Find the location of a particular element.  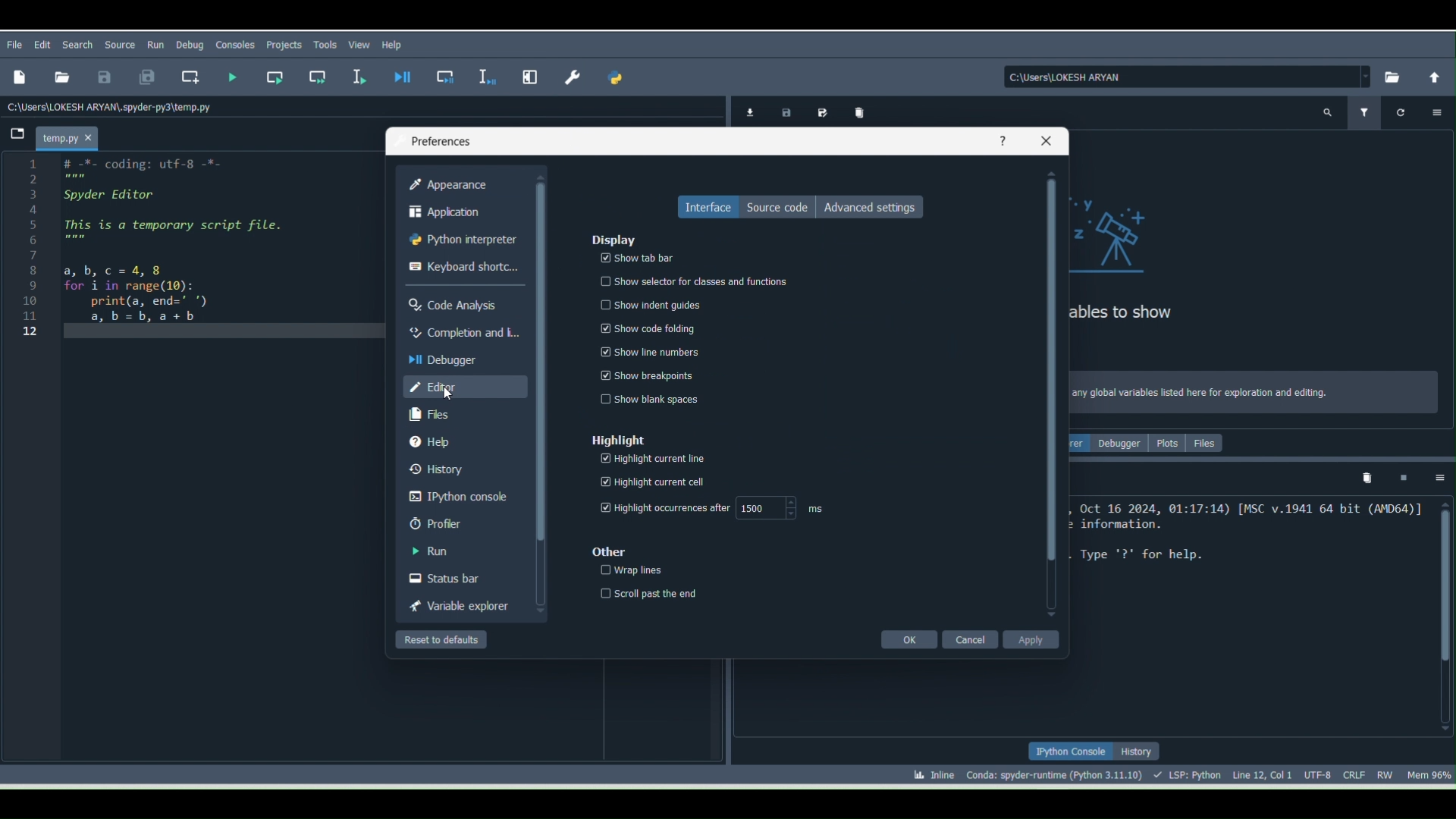

Run current cell( Ctrl + Return) is located at coordinates (274, 74).